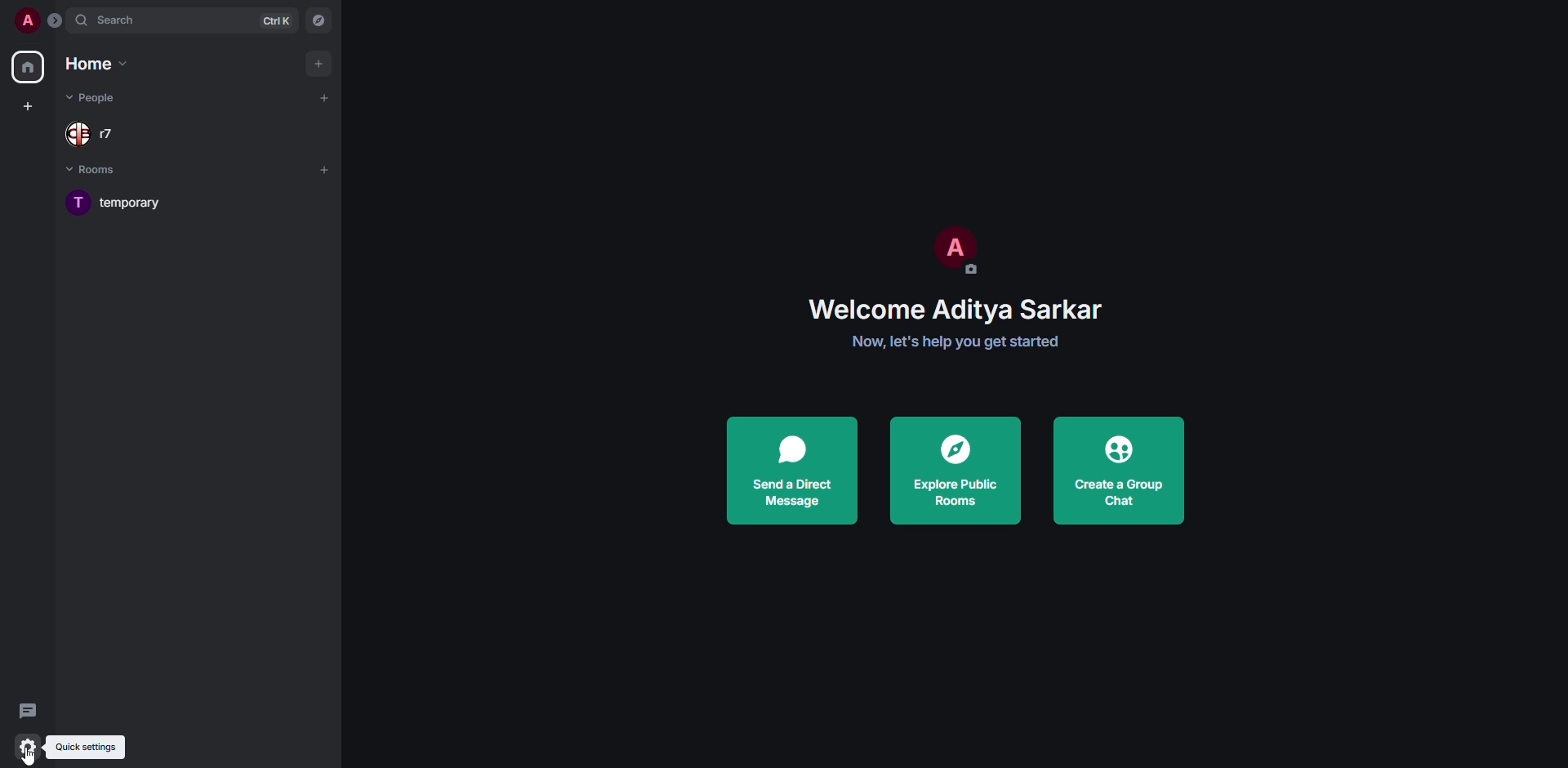 The width and height of the screenshot is (1568, 768). I want to click on room, so click(129, 202).